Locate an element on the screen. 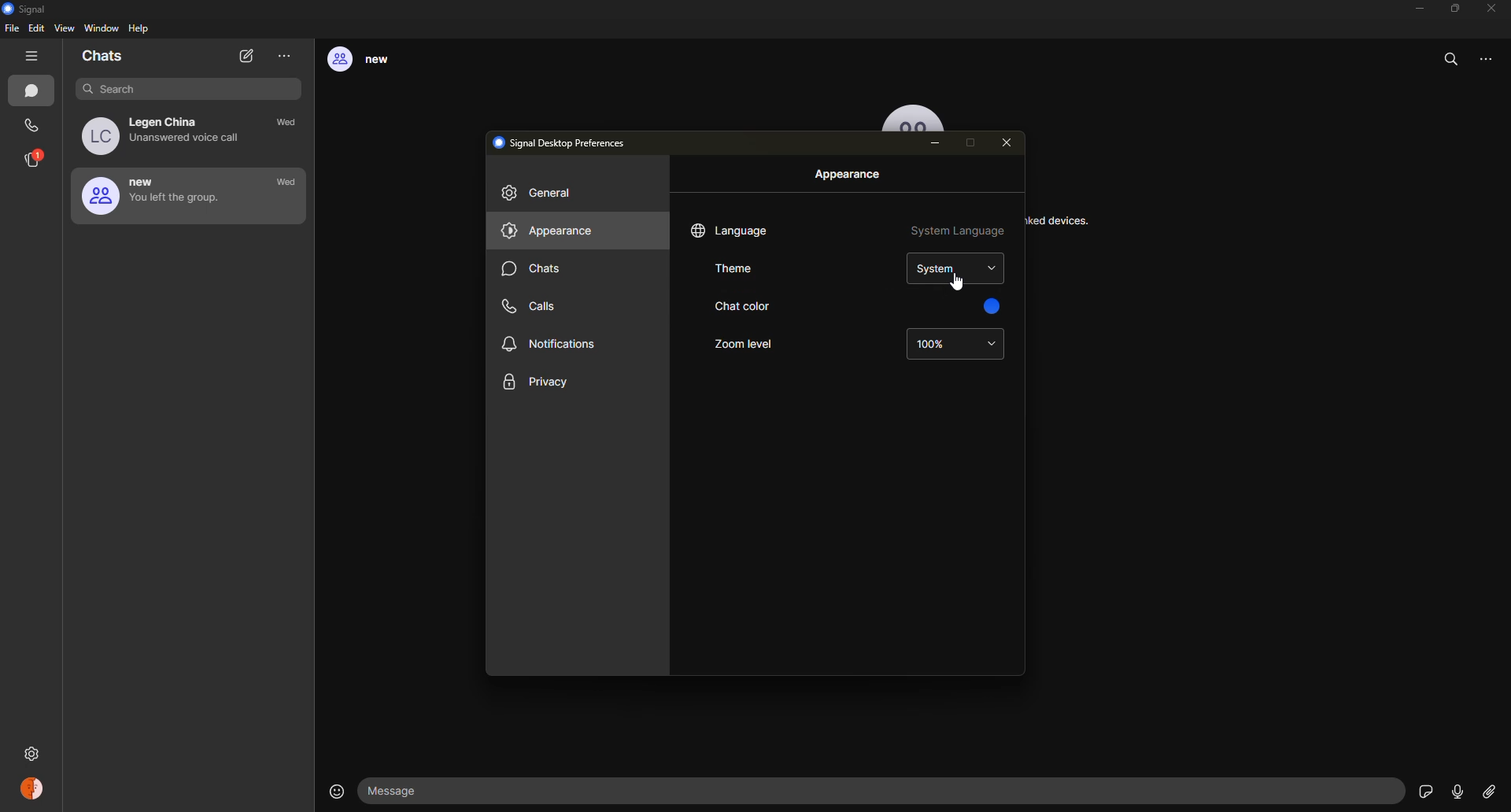  close is located at coordinates (1493, 8).